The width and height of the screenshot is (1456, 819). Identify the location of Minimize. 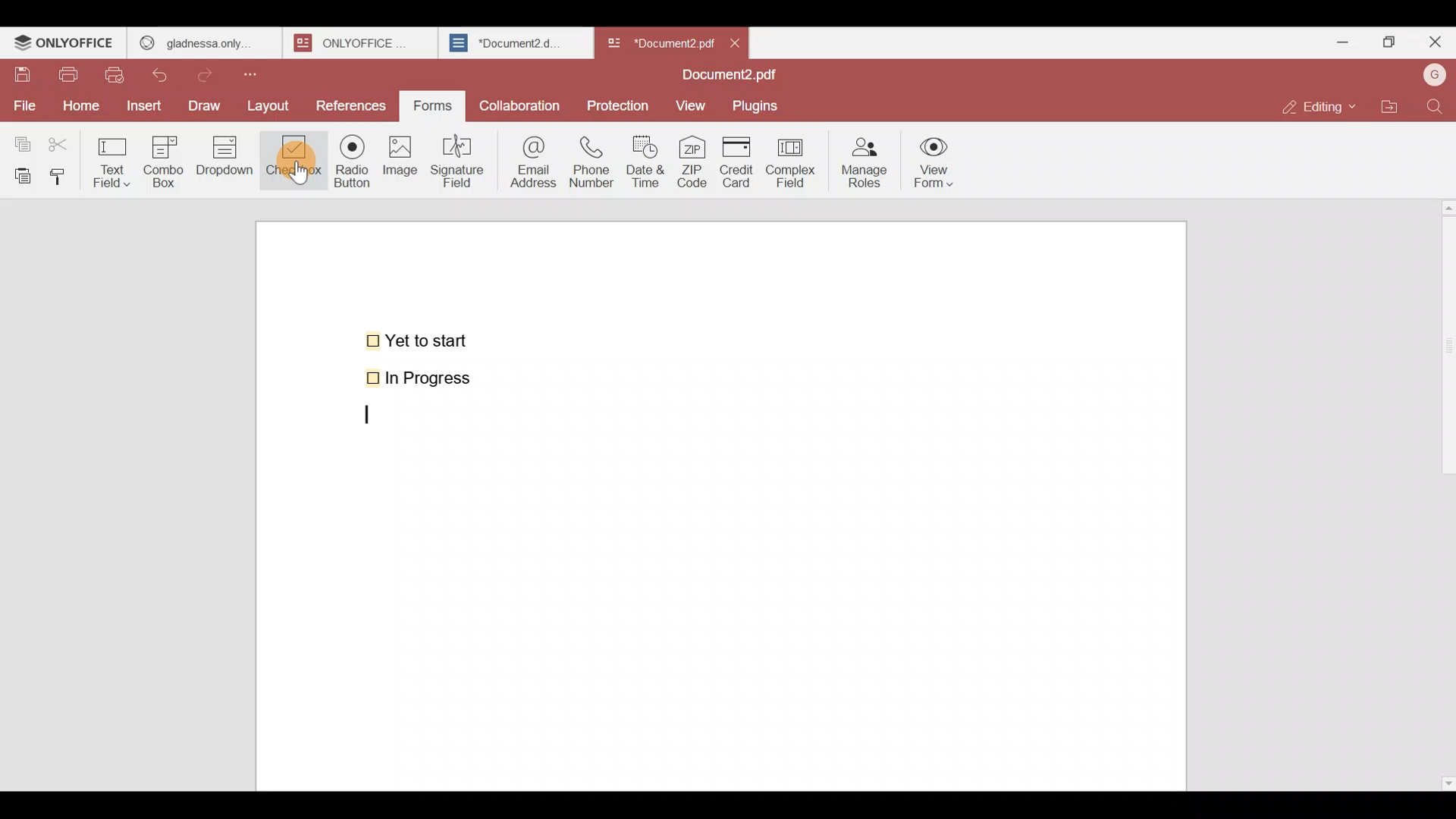
(1336, 39).